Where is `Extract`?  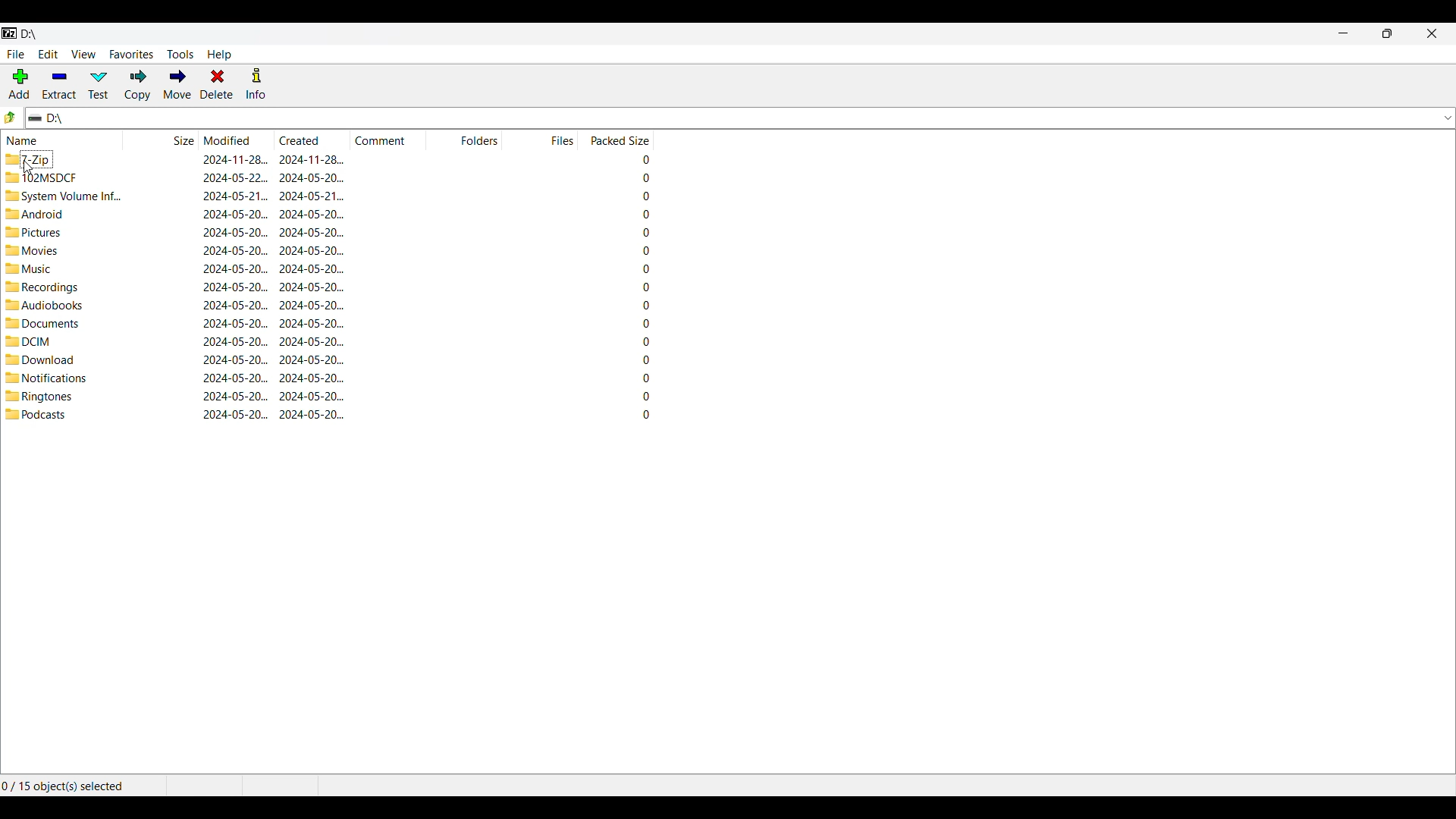
Extract is located at coordinates (60, 85).